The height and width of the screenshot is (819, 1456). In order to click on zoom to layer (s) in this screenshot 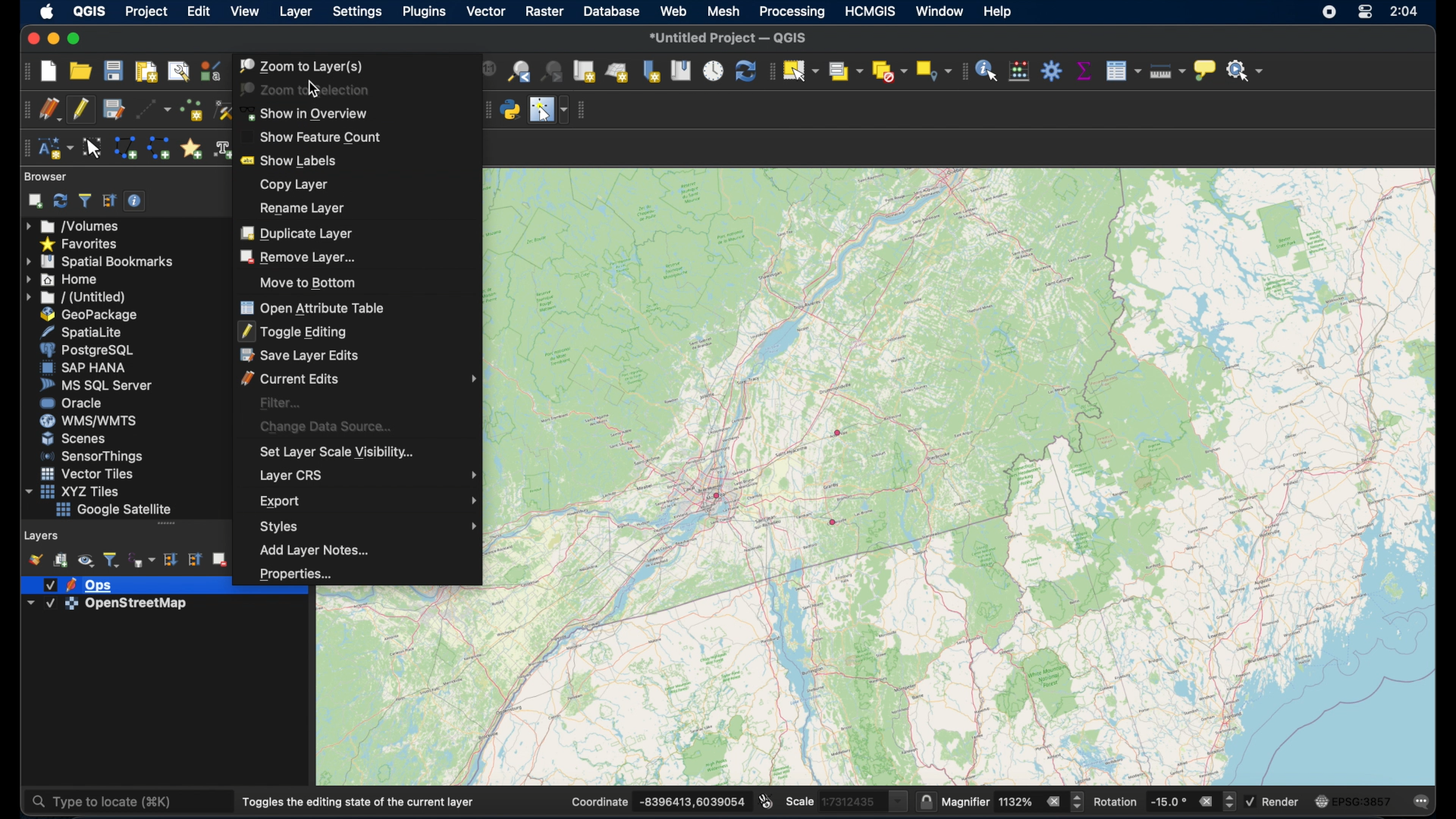, I will do `click(302, 65)`.